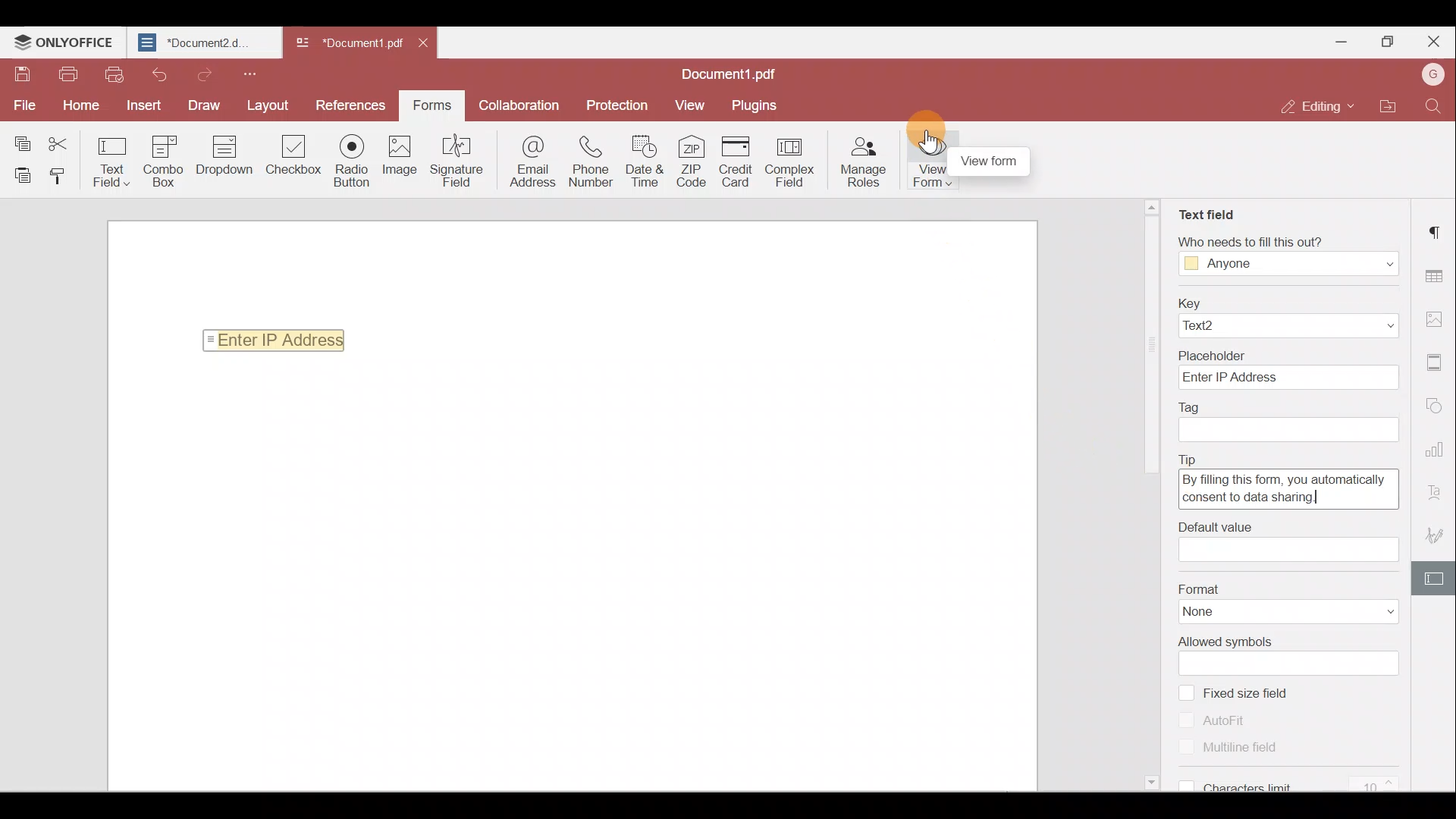 The height and width of the screenshot is (819, 1456). What do you see at coordinates (1438, 406) in the screenshot?
I see `Shapes settings` at bounding box center [1438, 406].